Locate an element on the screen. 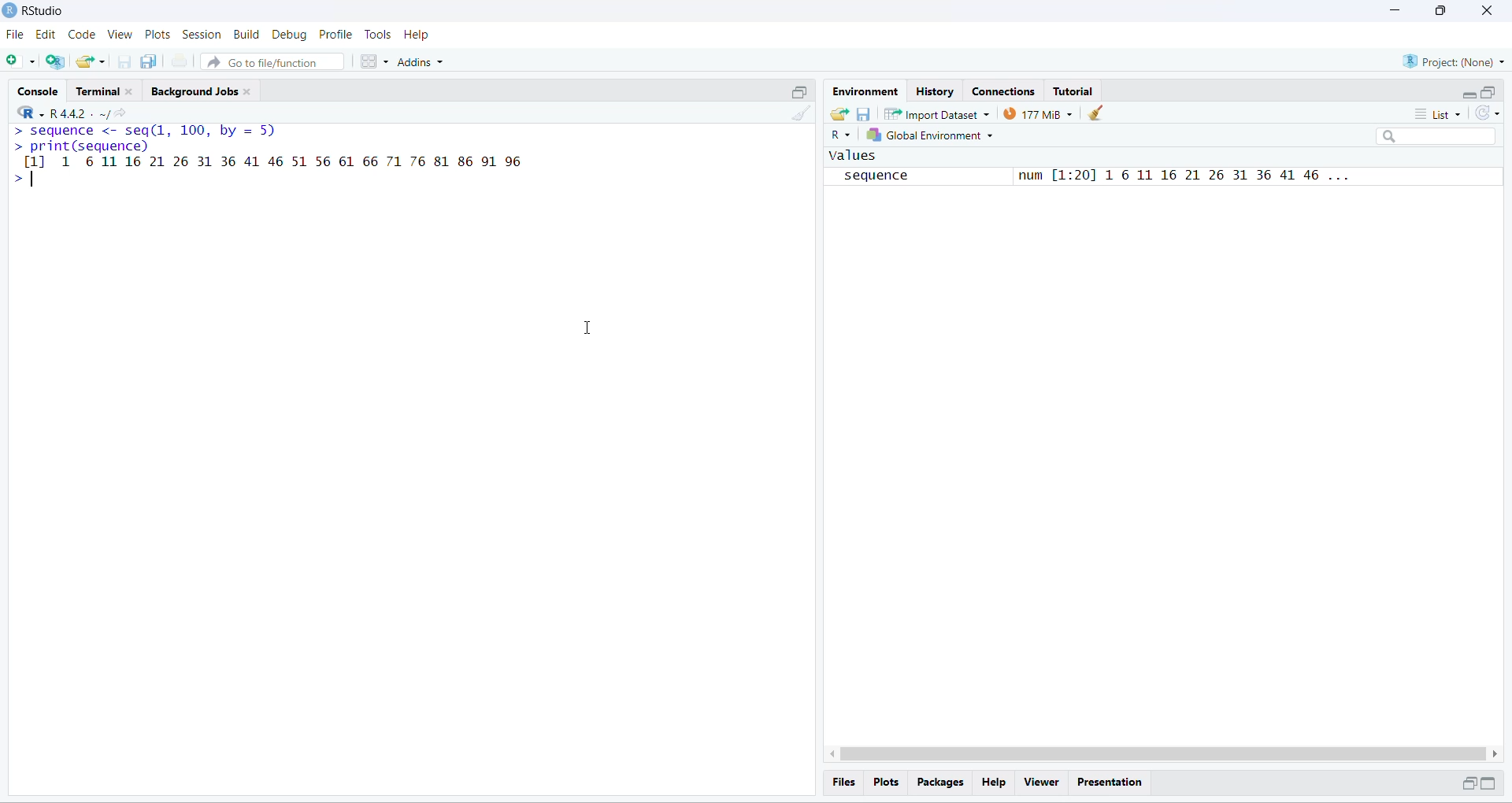 The width and height of the screenshot is (1512, 803). maximise is located at coordinates (1441, 11).